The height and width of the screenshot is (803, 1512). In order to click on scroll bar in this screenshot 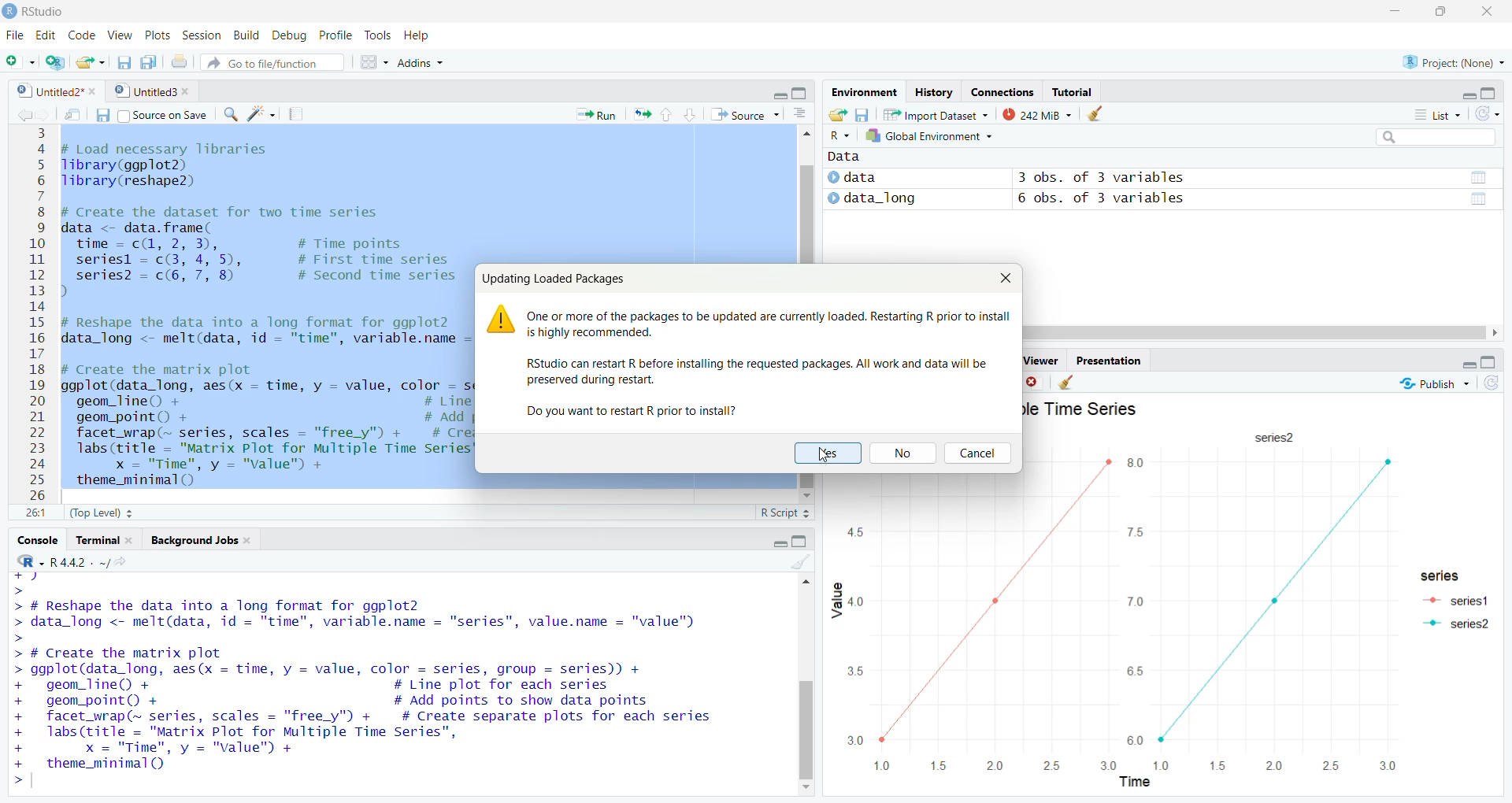, I will do `click(805, 214)`.